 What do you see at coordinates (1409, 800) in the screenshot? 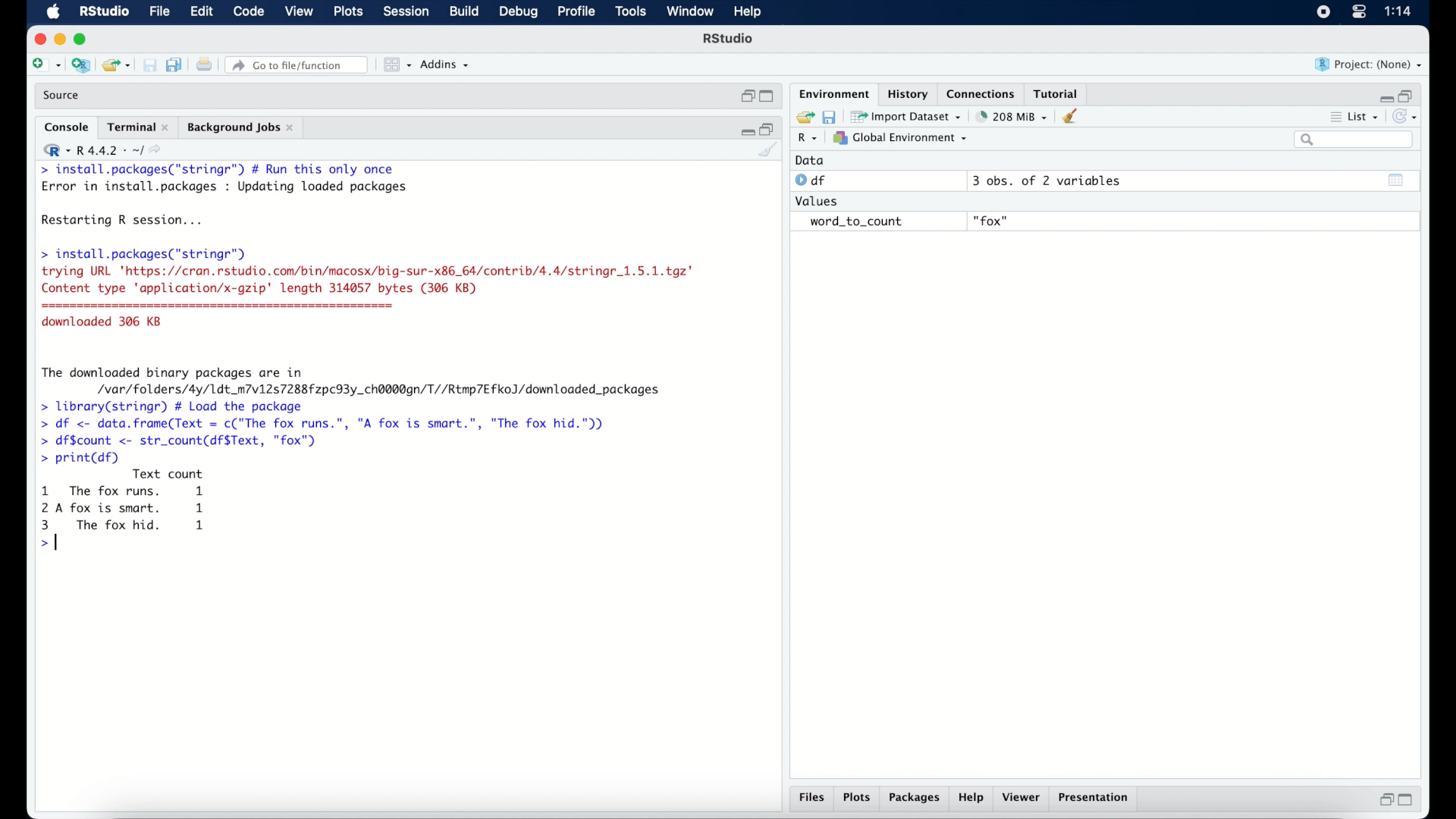
I see `maximize` at bounding box center [1409, 800].